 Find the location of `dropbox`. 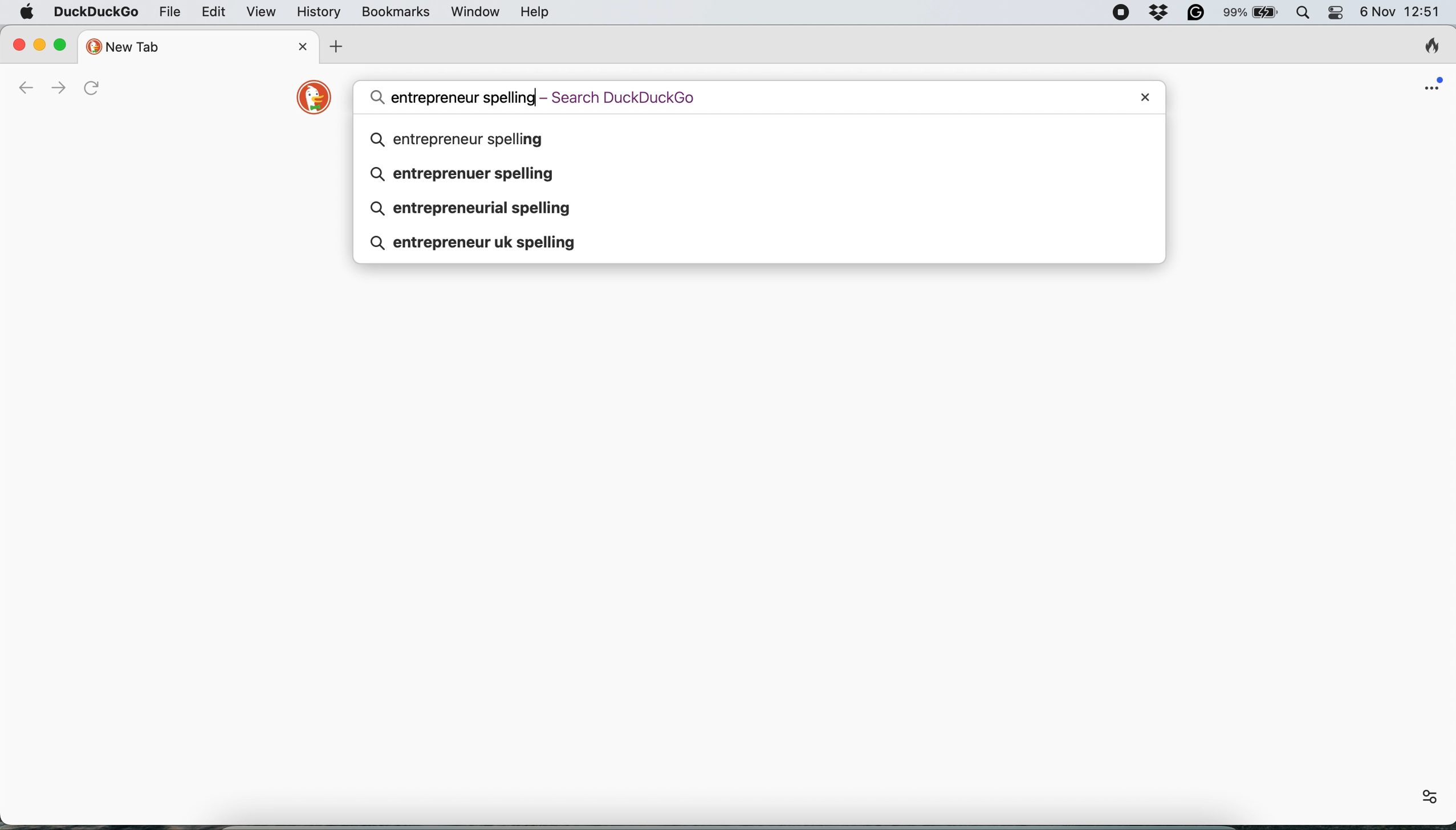

dropbox is located at coordinates (1157, 13).